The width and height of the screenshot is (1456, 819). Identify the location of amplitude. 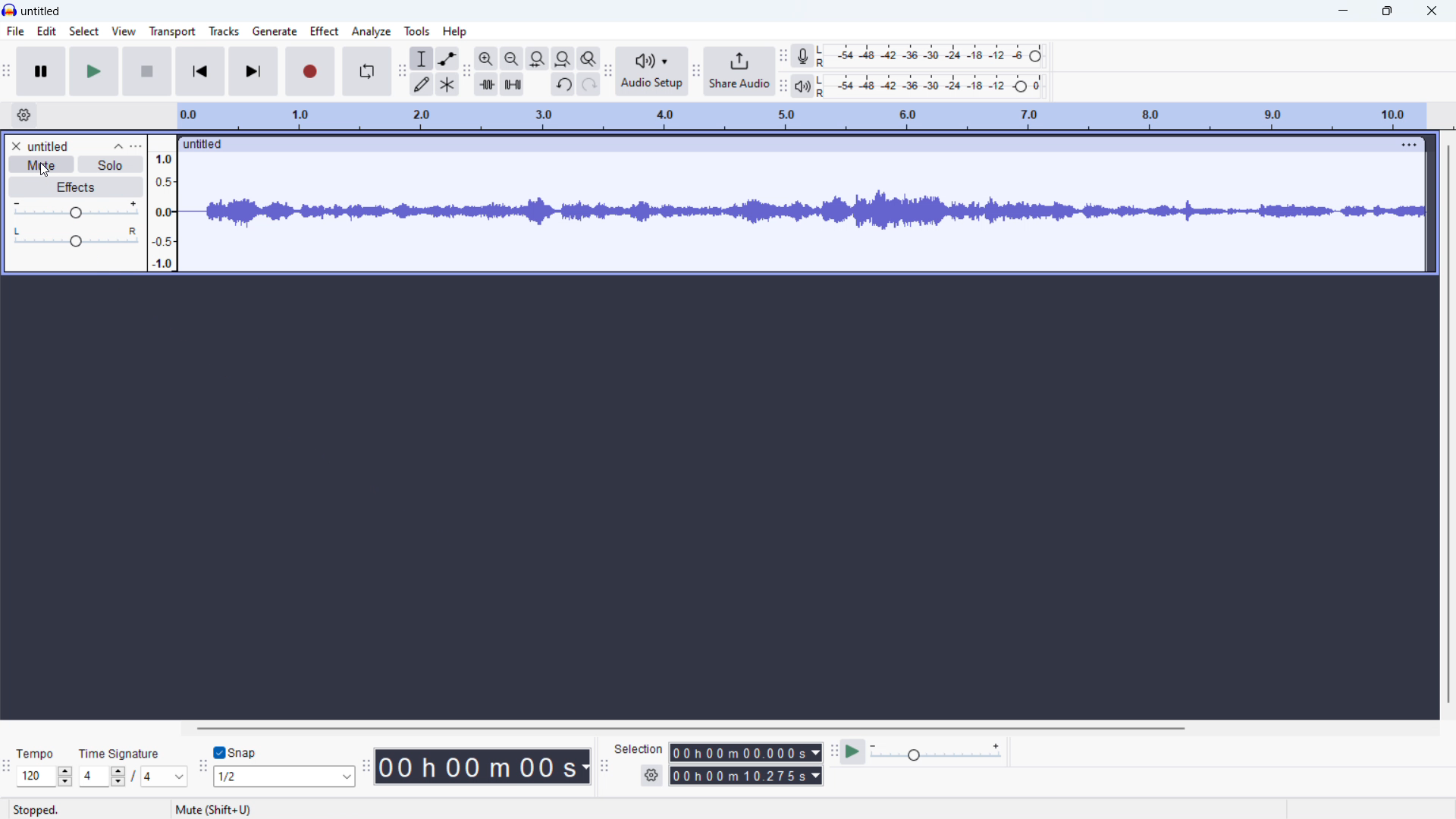
(163, 203).